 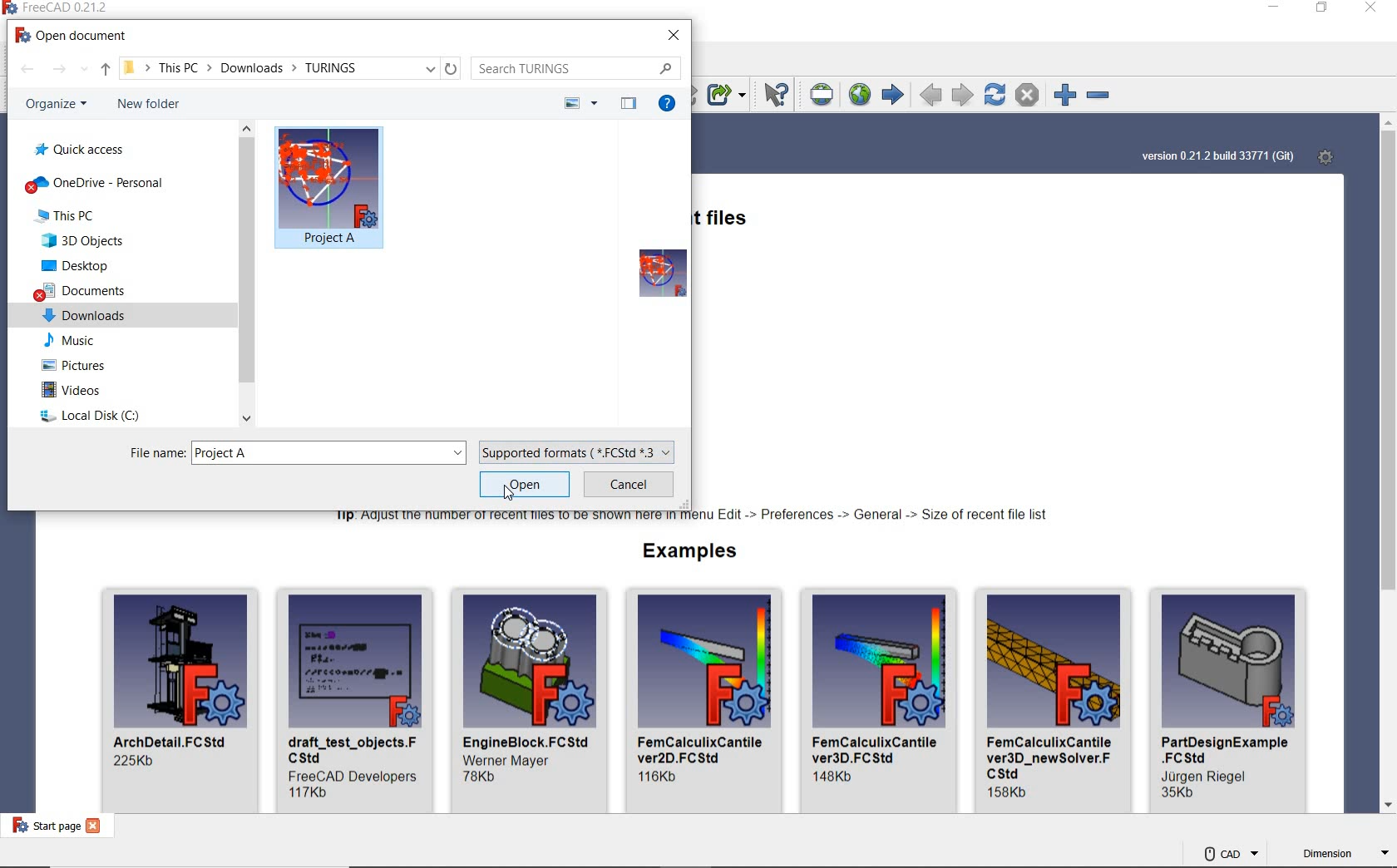 I want to click on image, so click(x=326, y=178).